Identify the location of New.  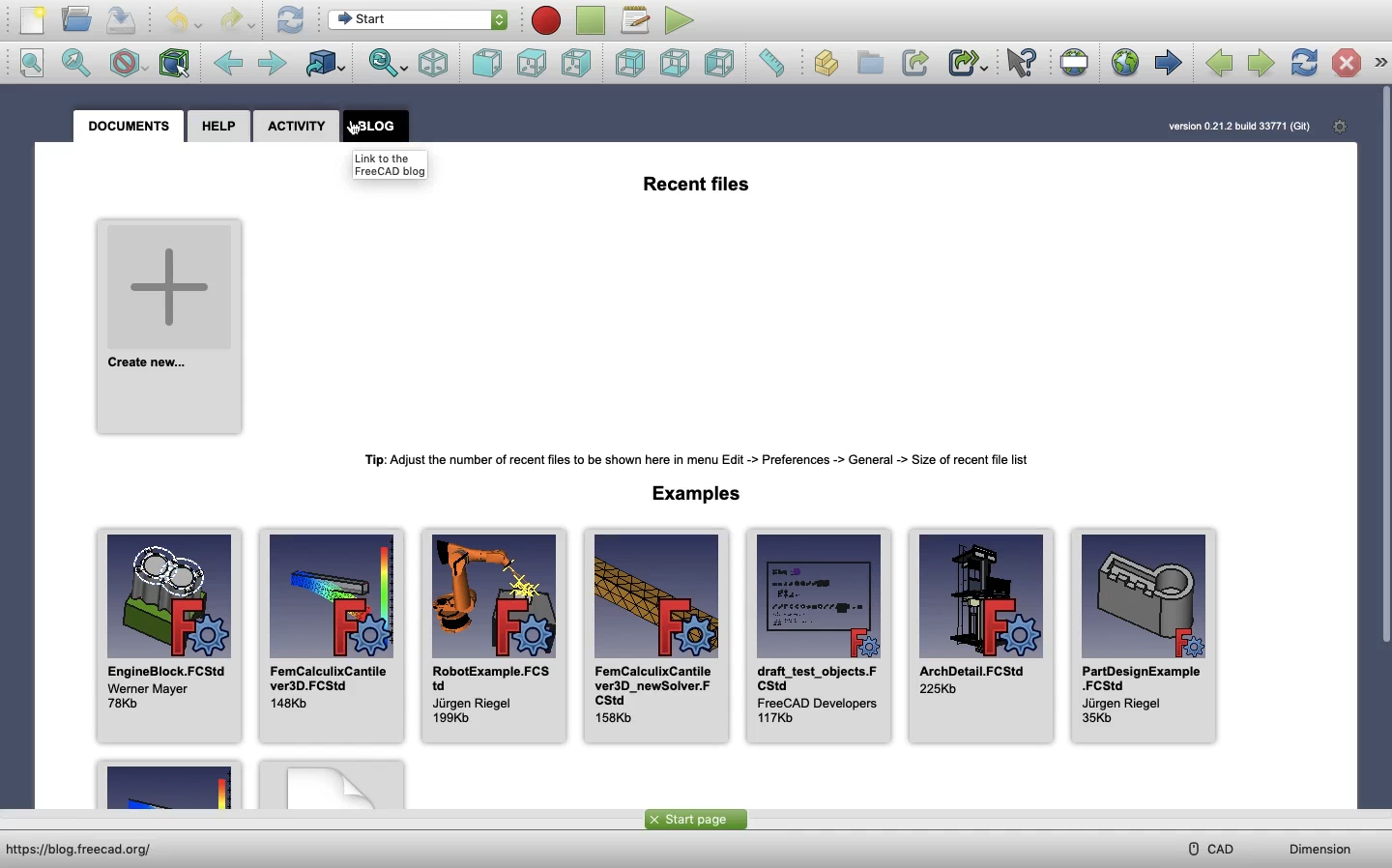
(33, 20).